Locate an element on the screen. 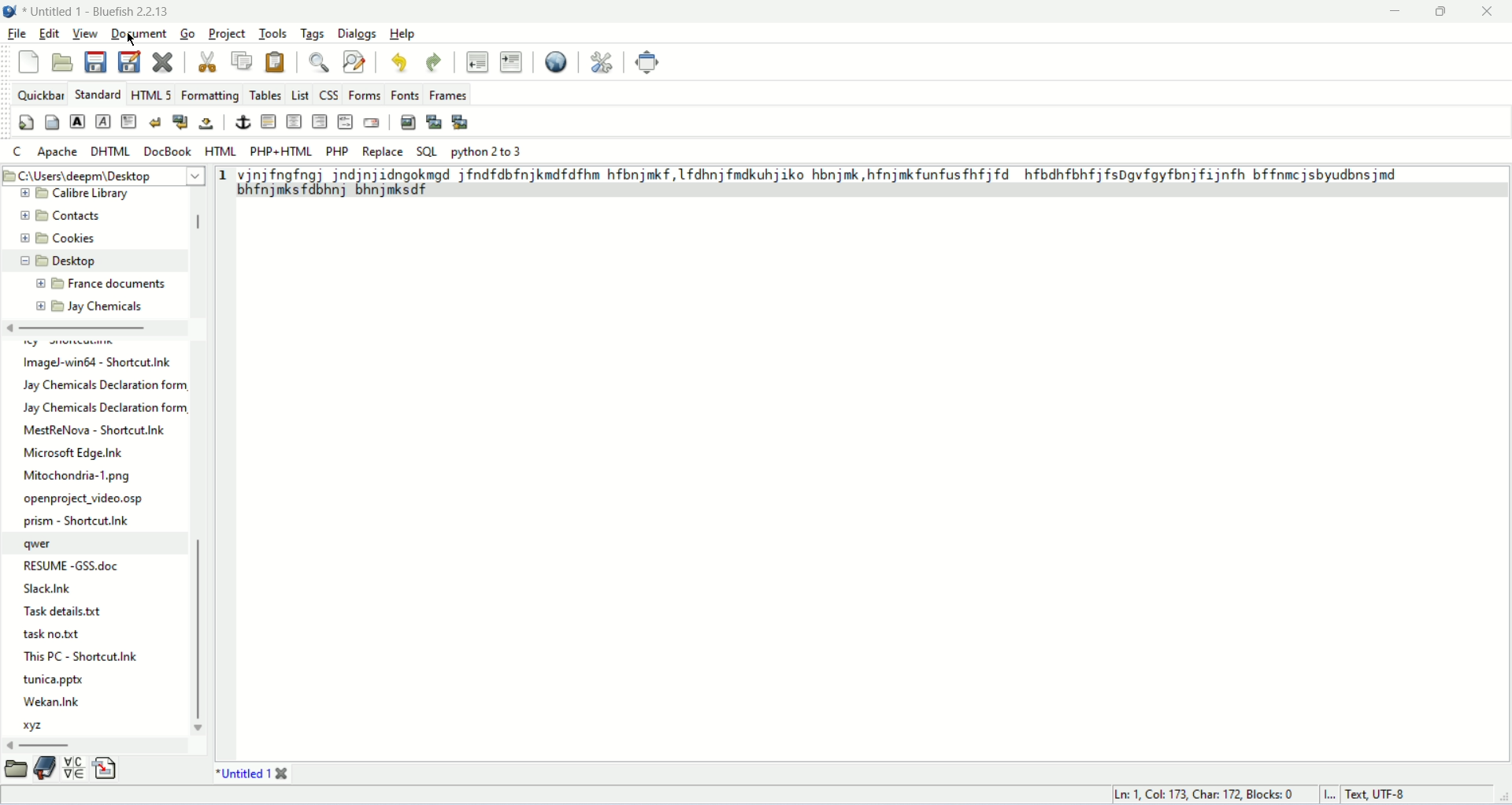  edit is located at coordinates (50, 32).